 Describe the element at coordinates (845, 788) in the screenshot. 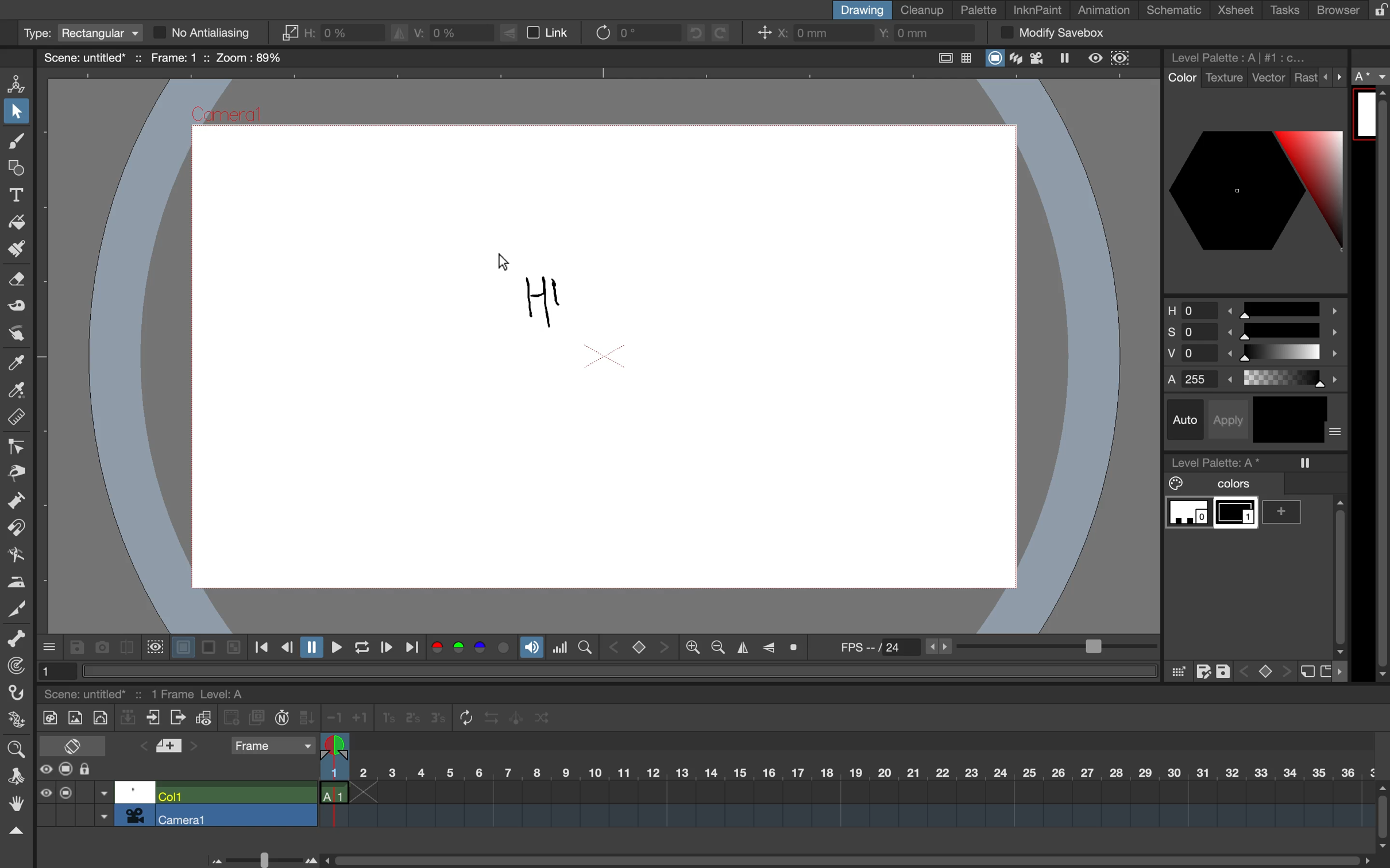

I see `timeline scale` at that location.